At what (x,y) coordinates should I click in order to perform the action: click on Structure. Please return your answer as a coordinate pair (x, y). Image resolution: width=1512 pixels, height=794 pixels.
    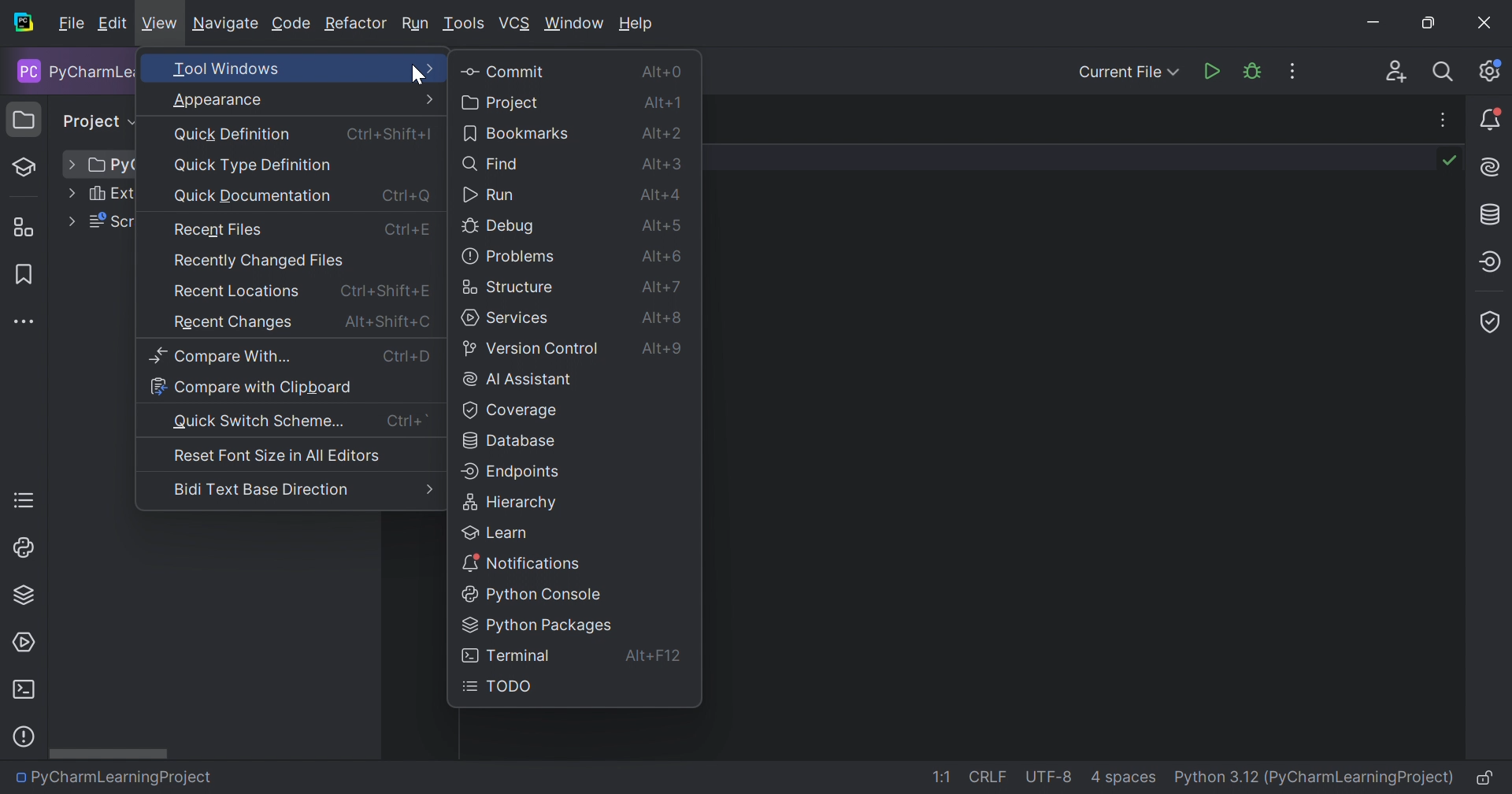
    Looking at the image, I should click on (28, 228).